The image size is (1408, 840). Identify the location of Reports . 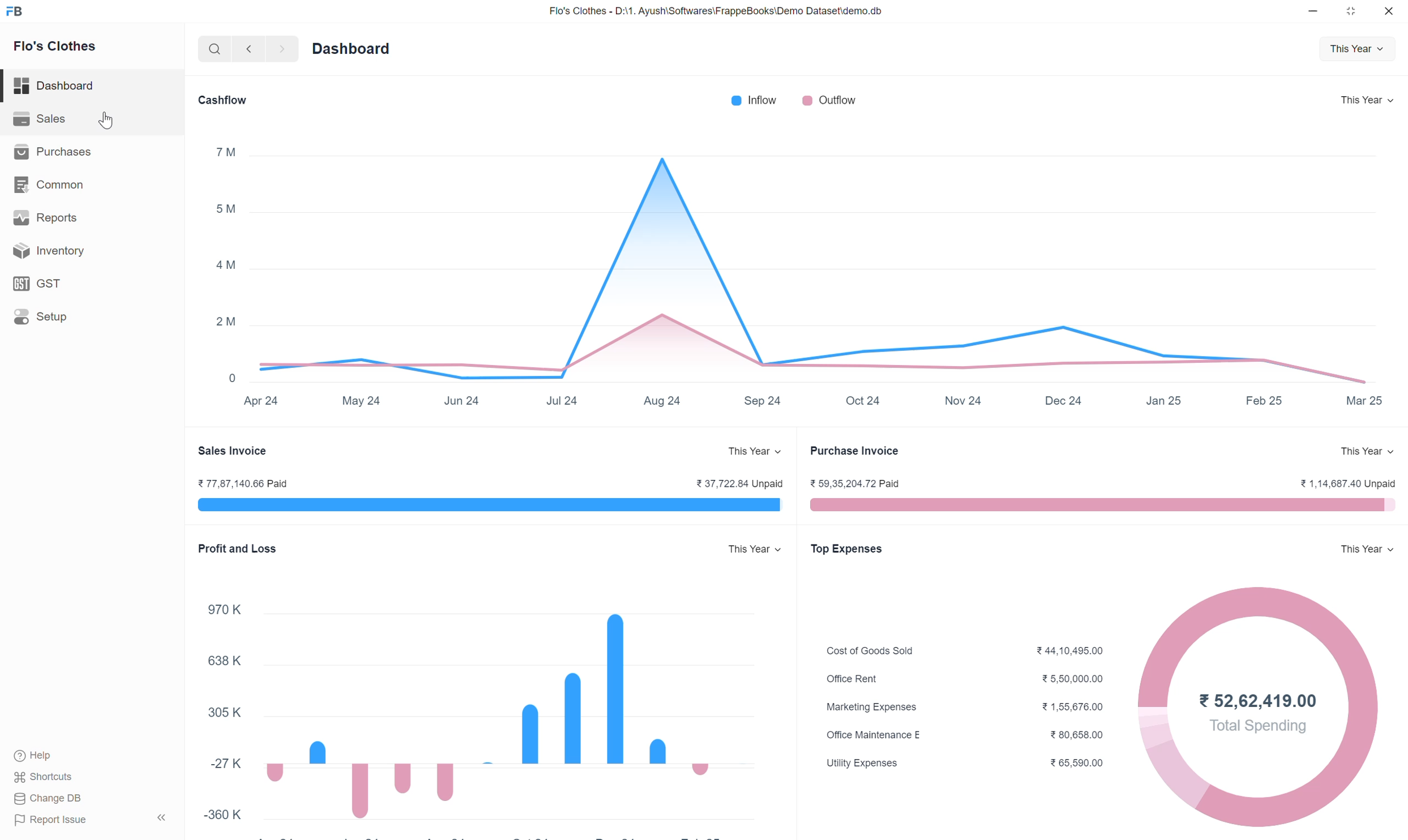
(76, 218).